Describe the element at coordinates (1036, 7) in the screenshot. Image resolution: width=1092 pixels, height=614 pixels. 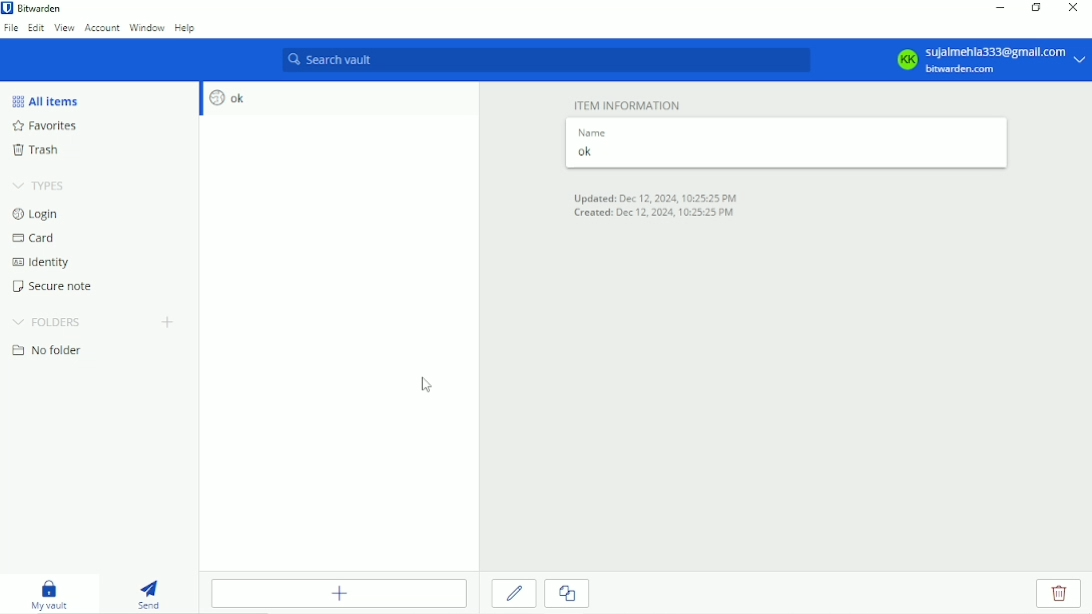
I see `Restore down` at that location.